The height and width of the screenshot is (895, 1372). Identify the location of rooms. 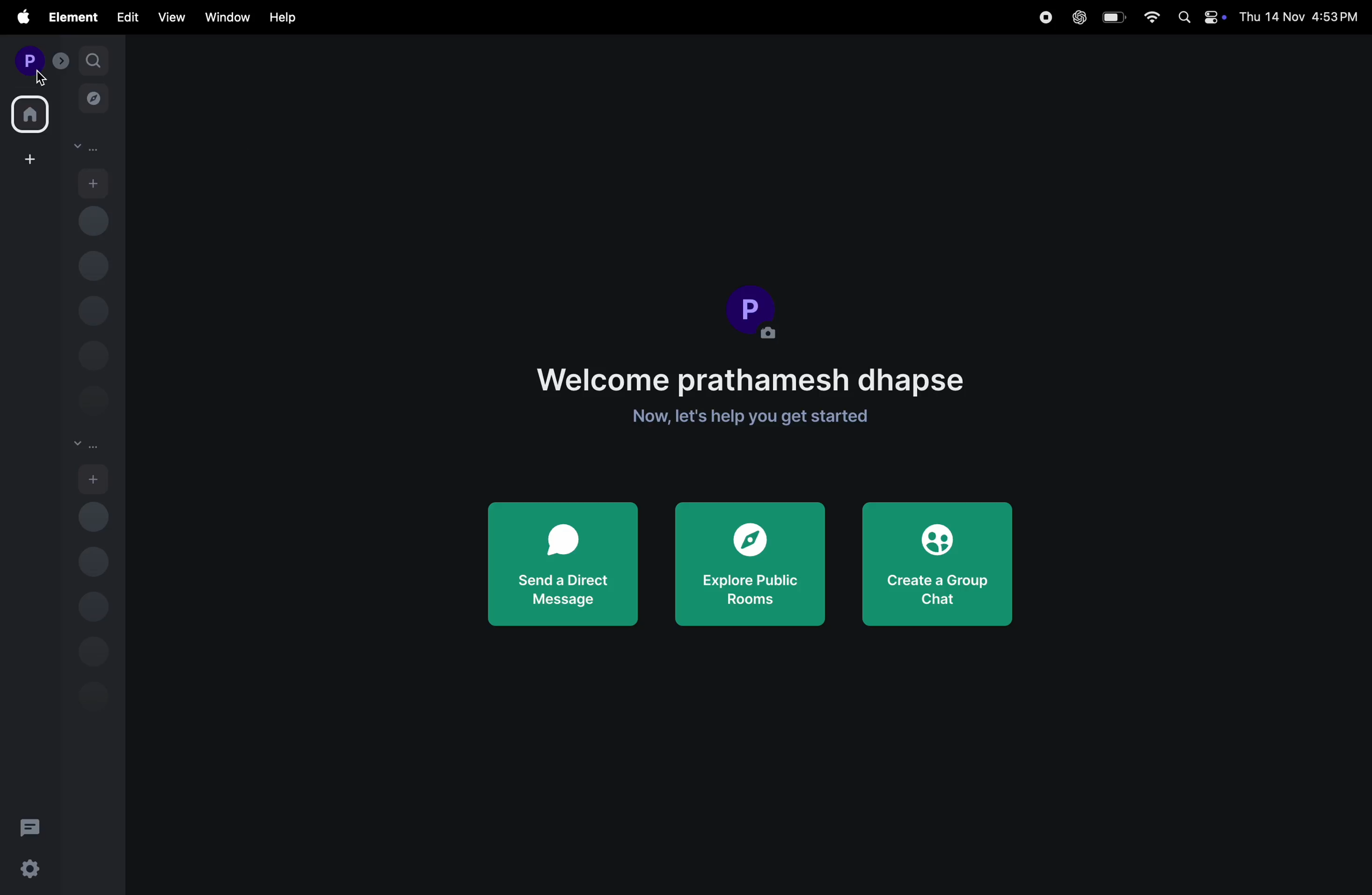
(86, 442).